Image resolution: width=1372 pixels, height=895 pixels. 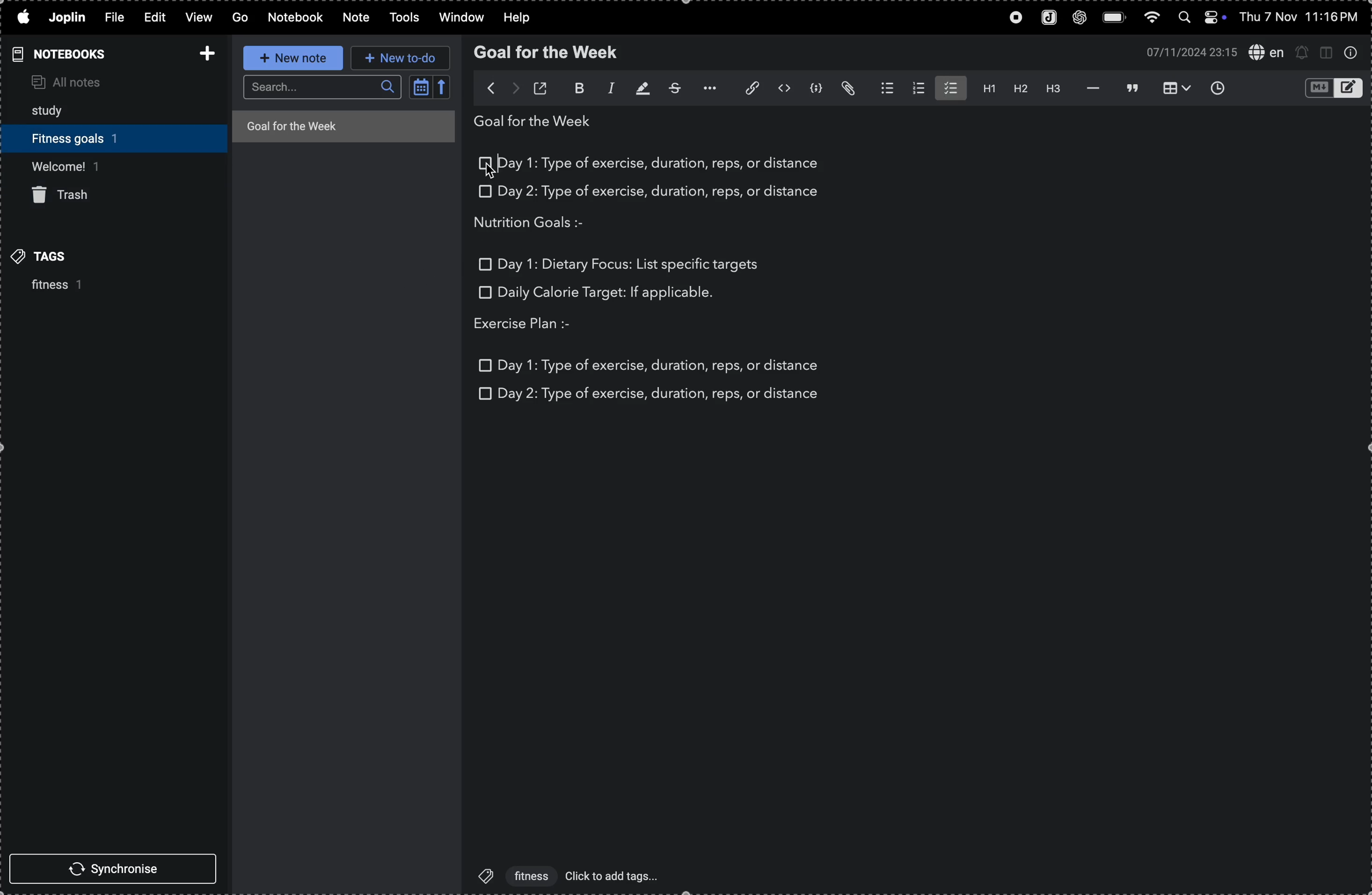 What do you see at coordinates (241, 17) in the screenshot?
I see `GO` at bounding box center [241, 17].